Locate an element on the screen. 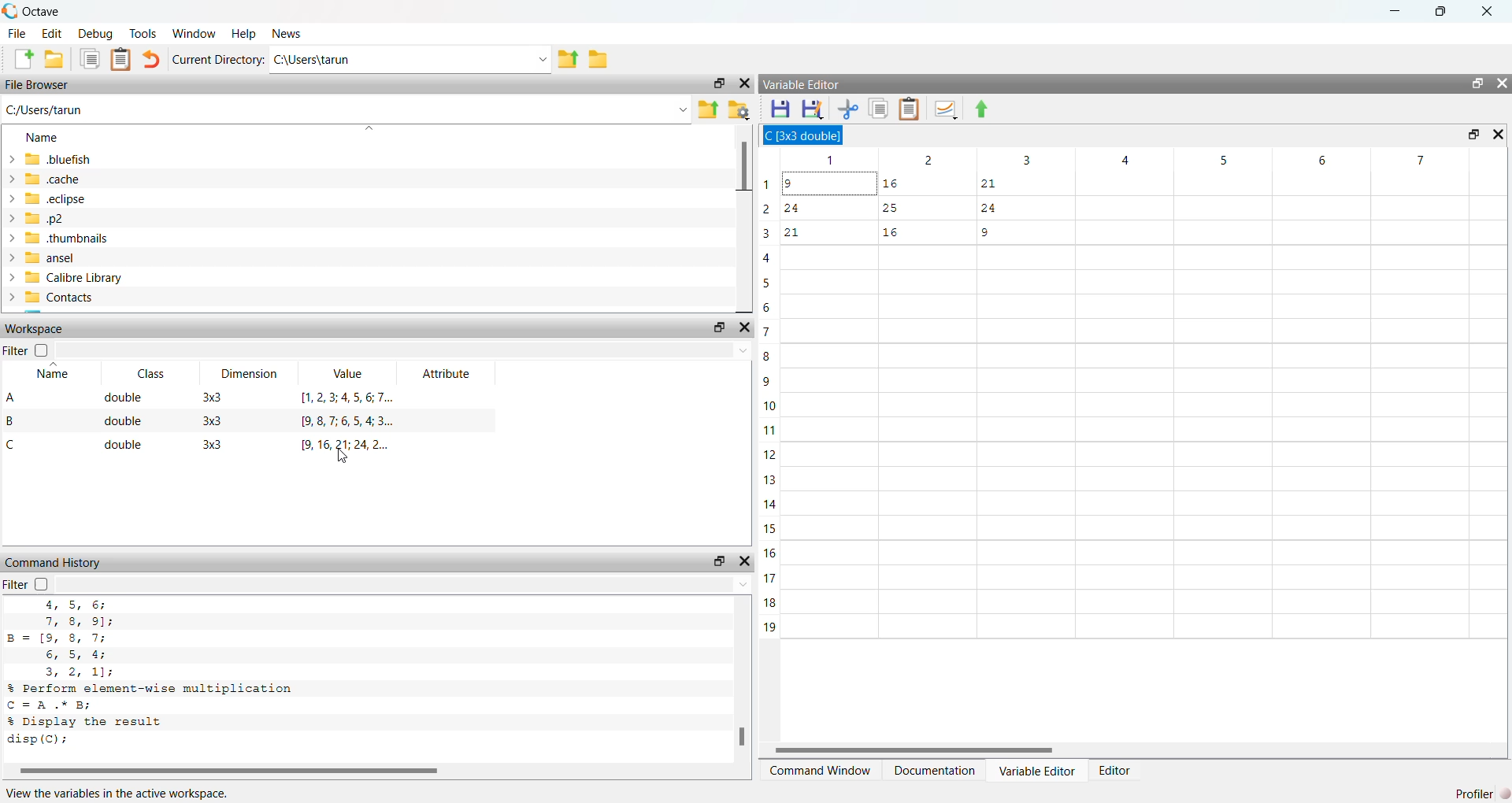 This screenshot has width=1512, height=803. Dropdown is located at coordinates (404, 584).